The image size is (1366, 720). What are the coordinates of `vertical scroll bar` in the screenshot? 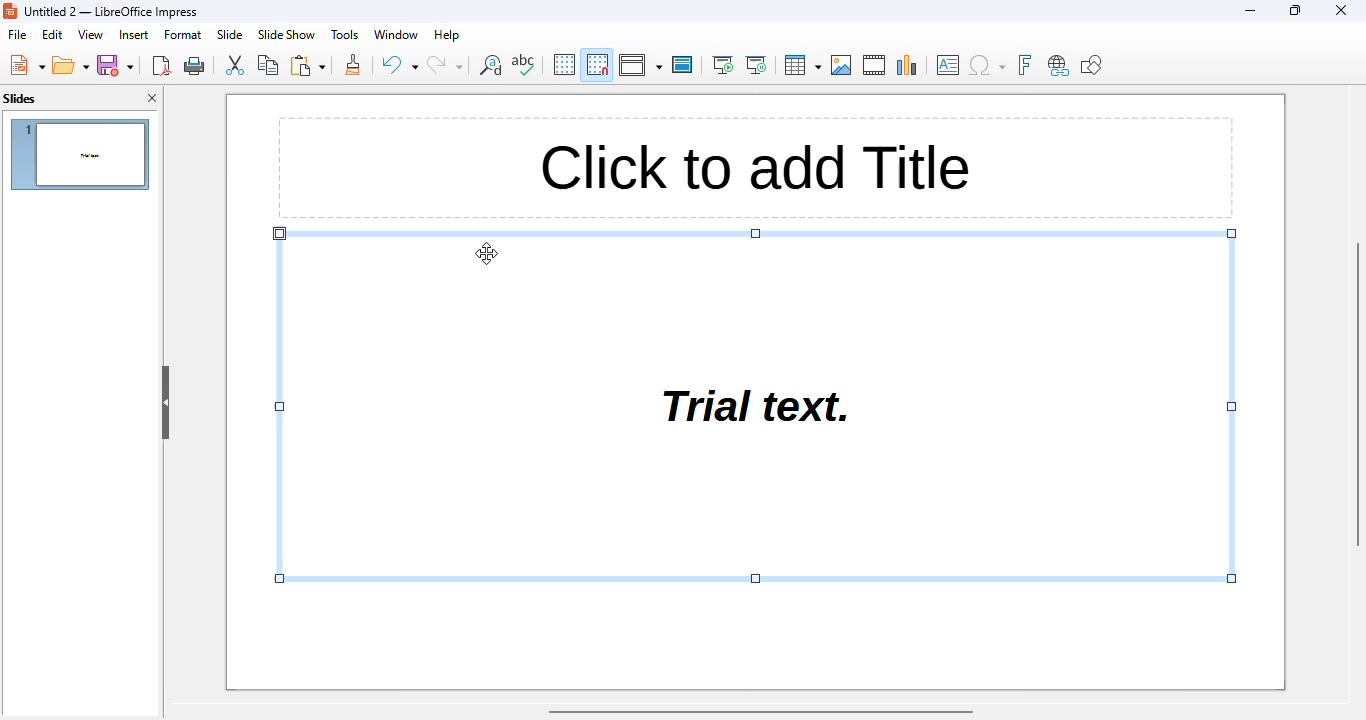 It's located at (1357, 392).